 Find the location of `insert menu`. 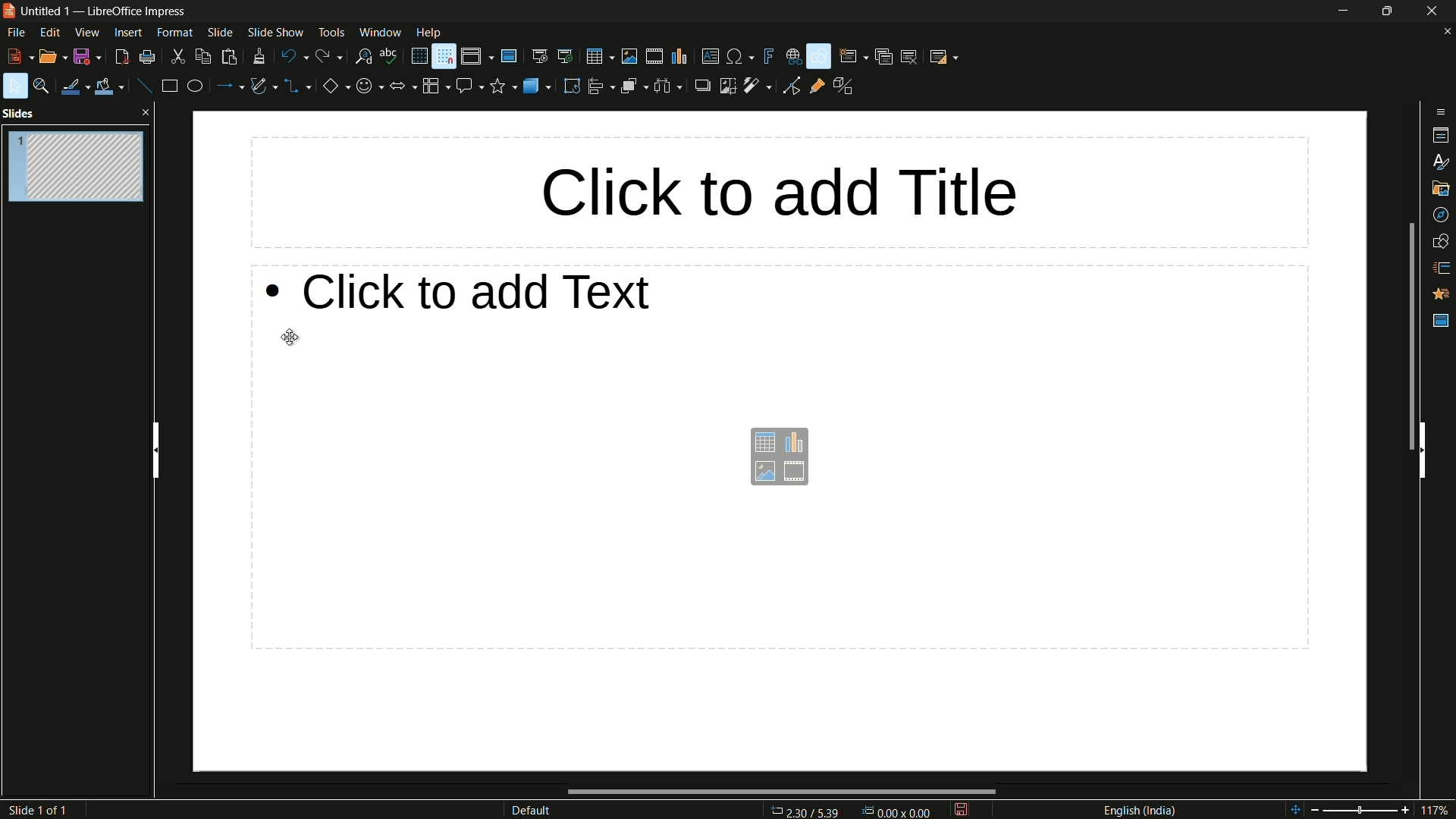

insert menu is located at coordinates (128, 33).